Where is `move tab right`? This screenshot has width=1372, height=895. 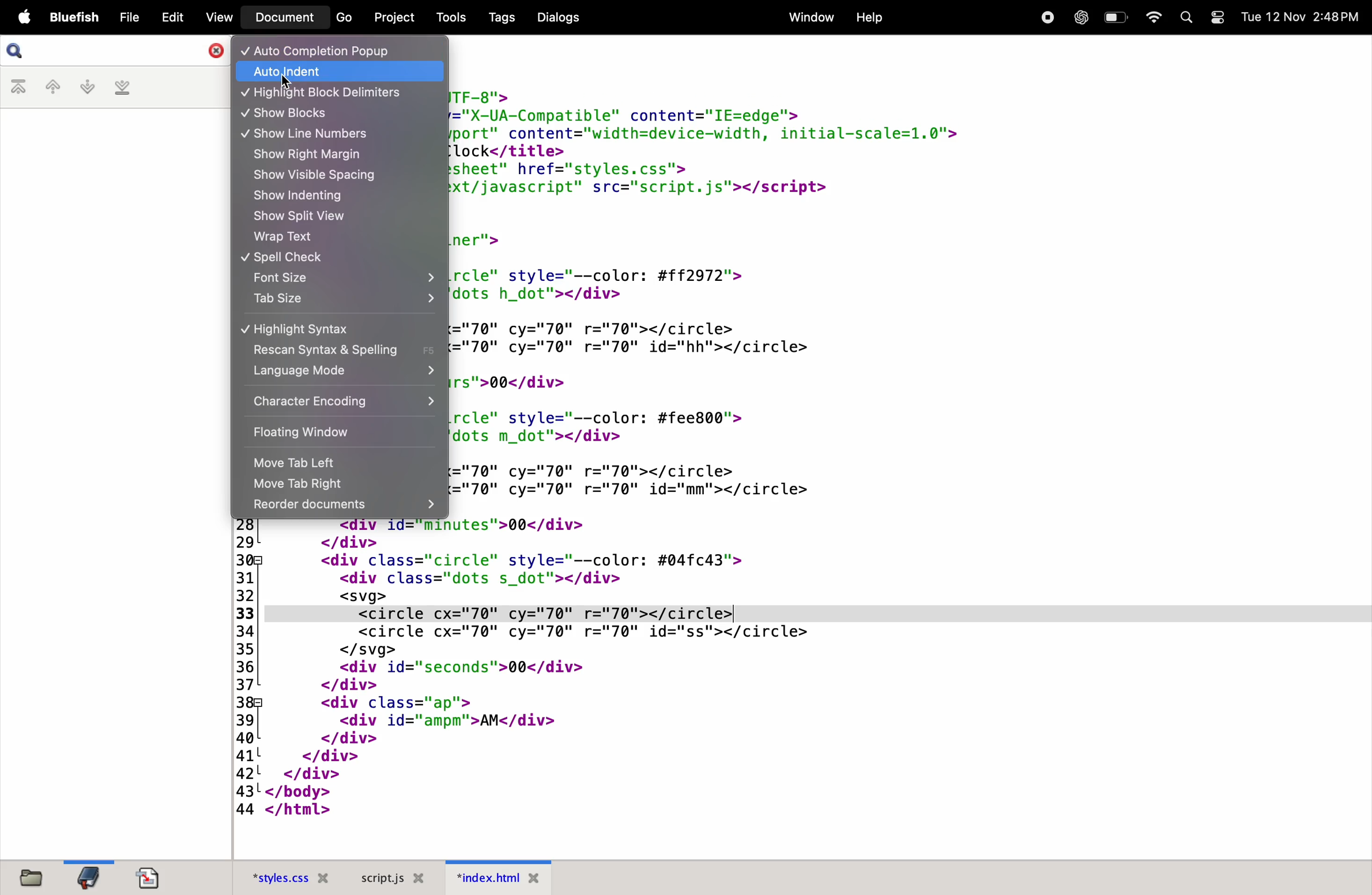
move tab right is located at coordinates (341, 483).